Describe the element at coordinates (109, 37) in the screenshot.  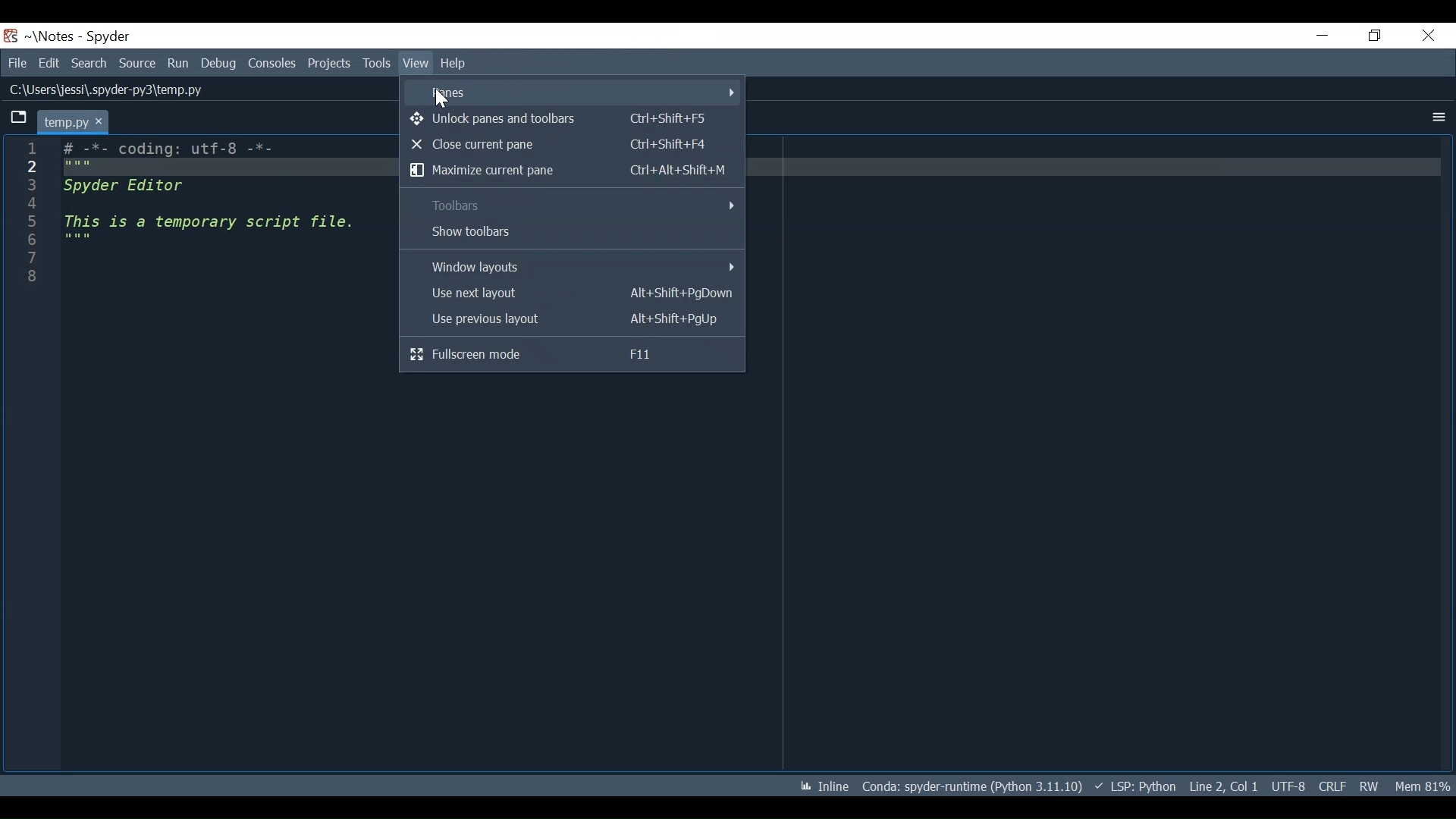
I see `Spyder ` at that location.